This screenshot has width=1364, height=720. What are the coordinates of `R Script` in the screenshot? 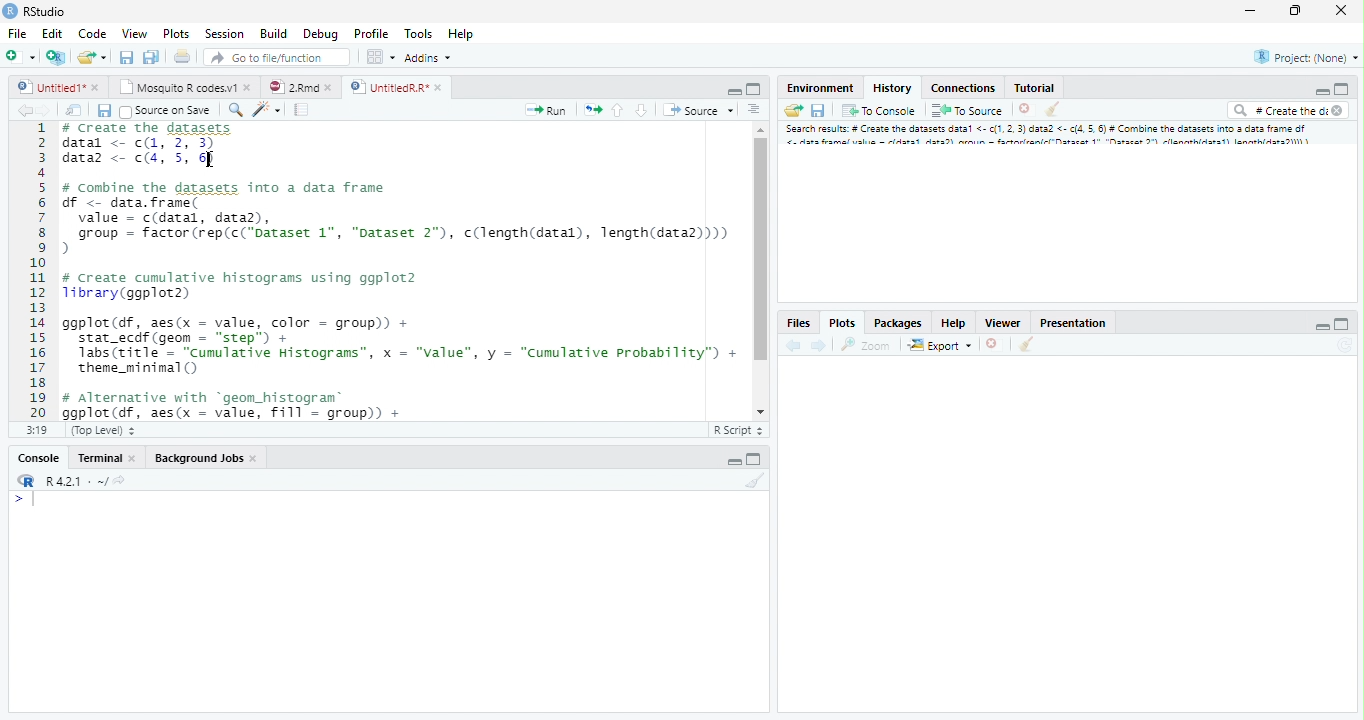 It's located at (738, 430).